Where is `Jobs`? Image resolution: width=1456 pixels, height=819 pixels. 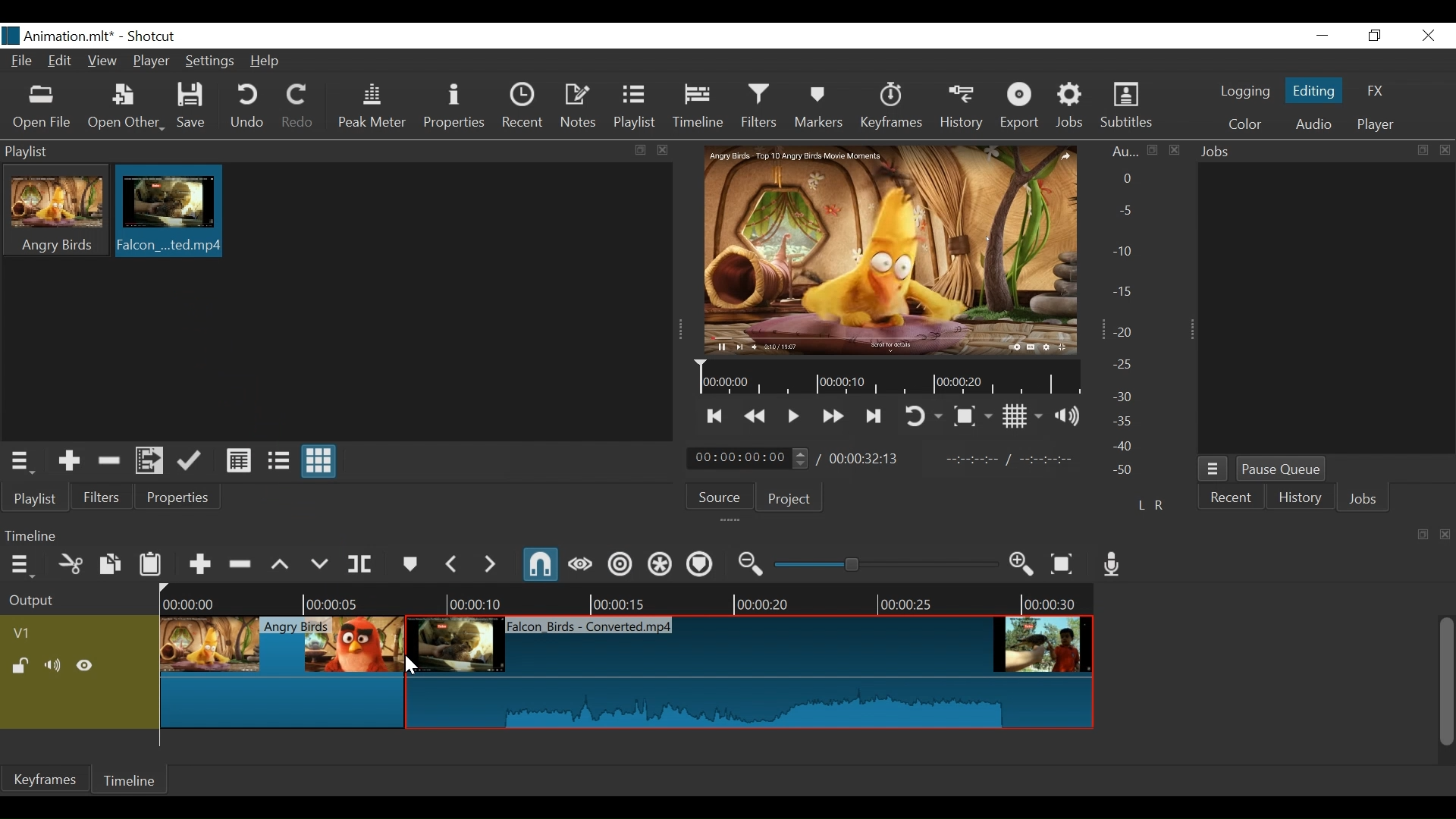 Jobs is located at coordinates (1070, 108).